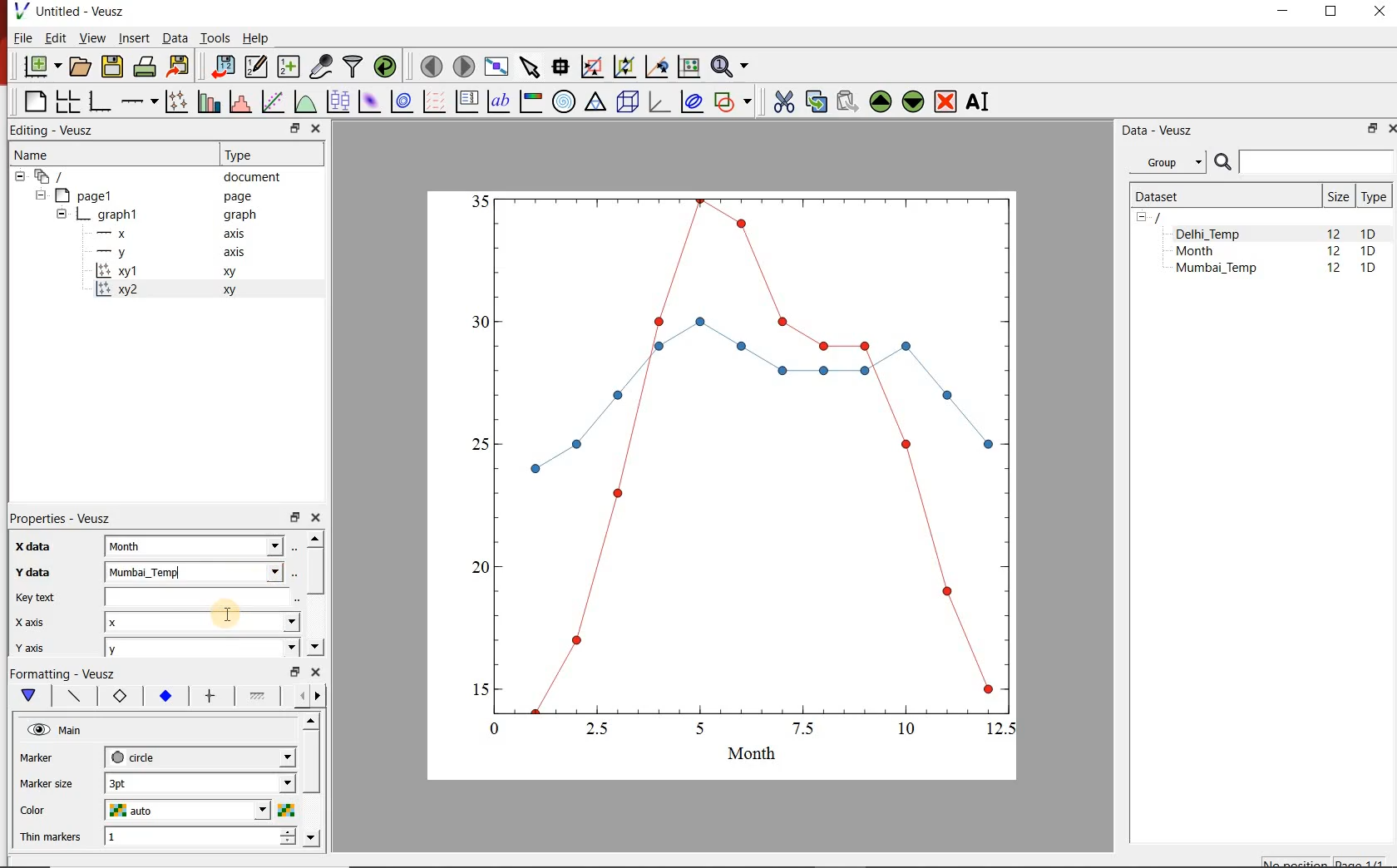 The height and width of the screenshot is (868, 1397). I want to click on Tick labels, so click(164, 693).